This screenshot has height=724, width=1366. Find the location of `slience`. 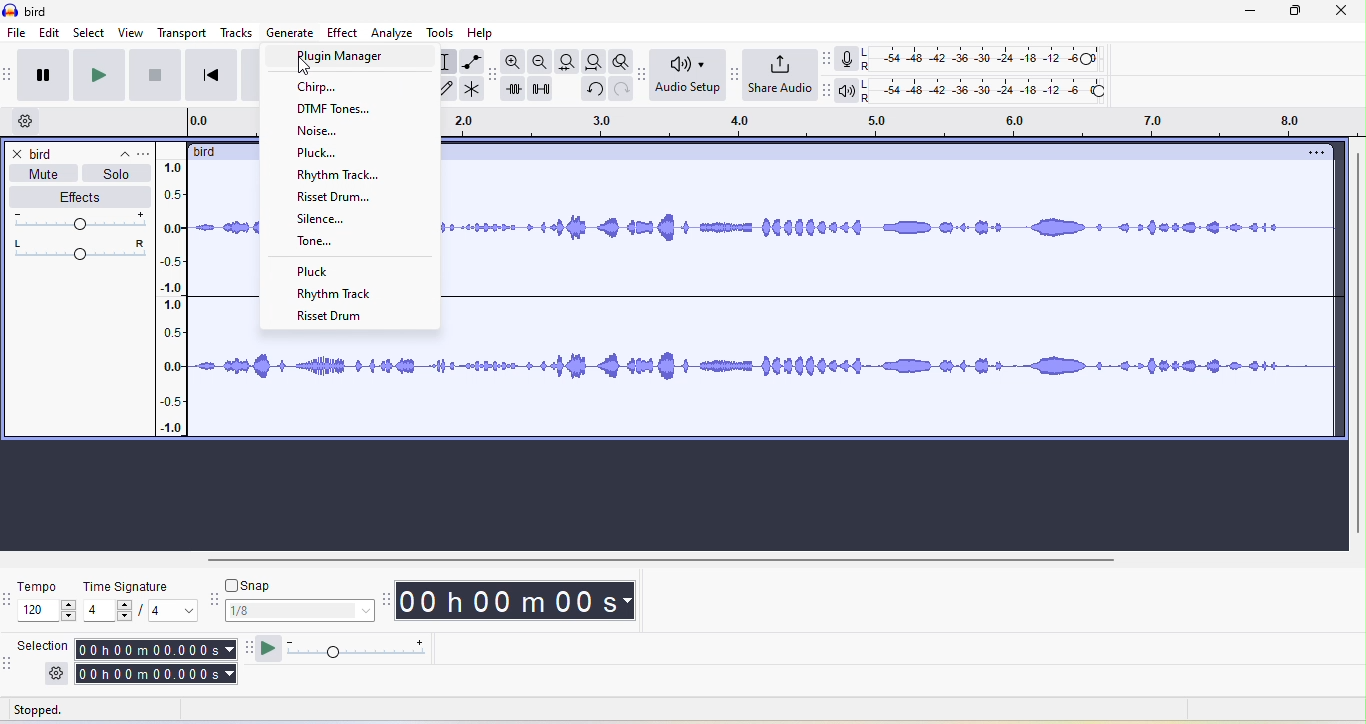

slience is located at coordinates (332, 219).